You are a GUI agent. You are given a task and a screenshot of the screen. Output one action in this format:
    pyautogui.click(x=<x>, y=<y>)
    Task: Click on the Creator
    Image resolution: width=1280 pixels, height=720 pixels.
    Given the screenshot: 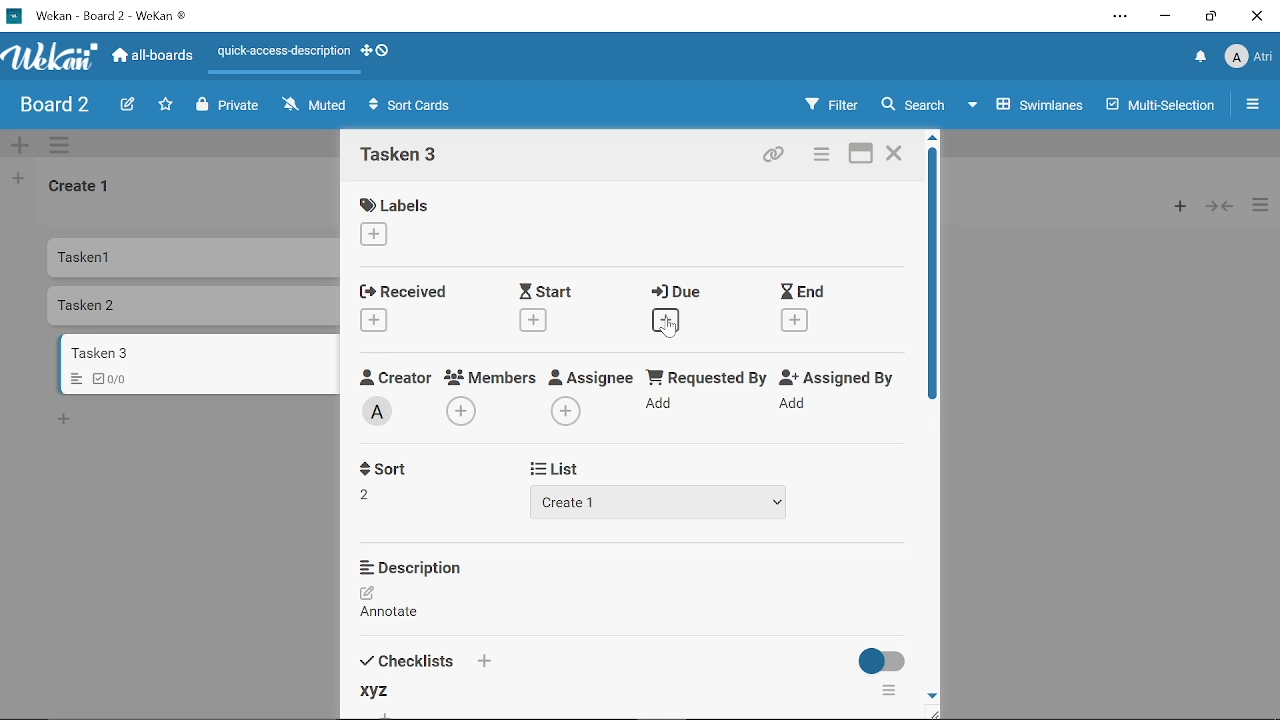 What is the action you would take?
    pyautogui.click(x=395, y=376)
    